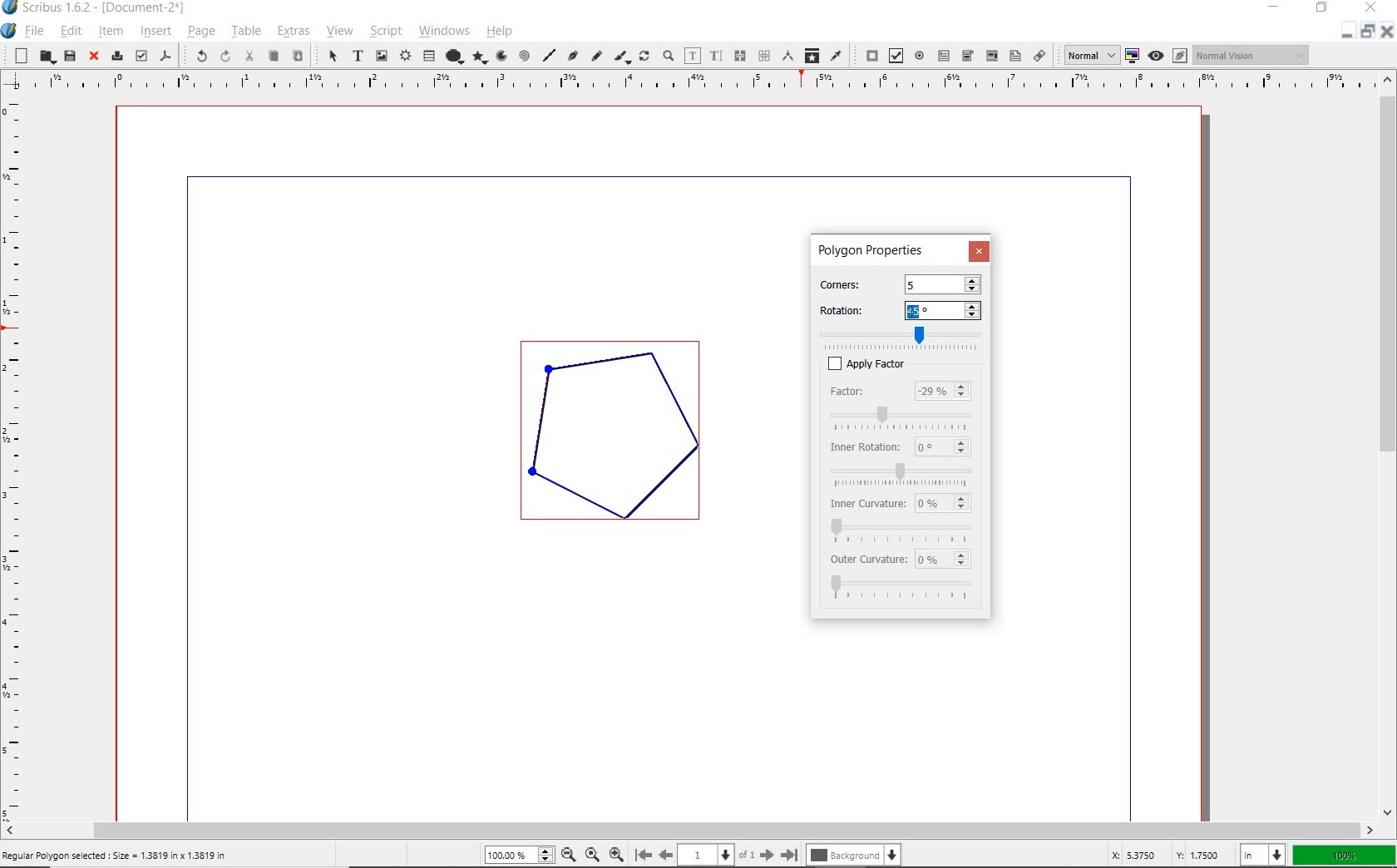 This screenshot has width=1397, height=868. What do you see at coordinates (789, 56) in the screenshot?
I see `measurements` at bounding box center [789, 56].